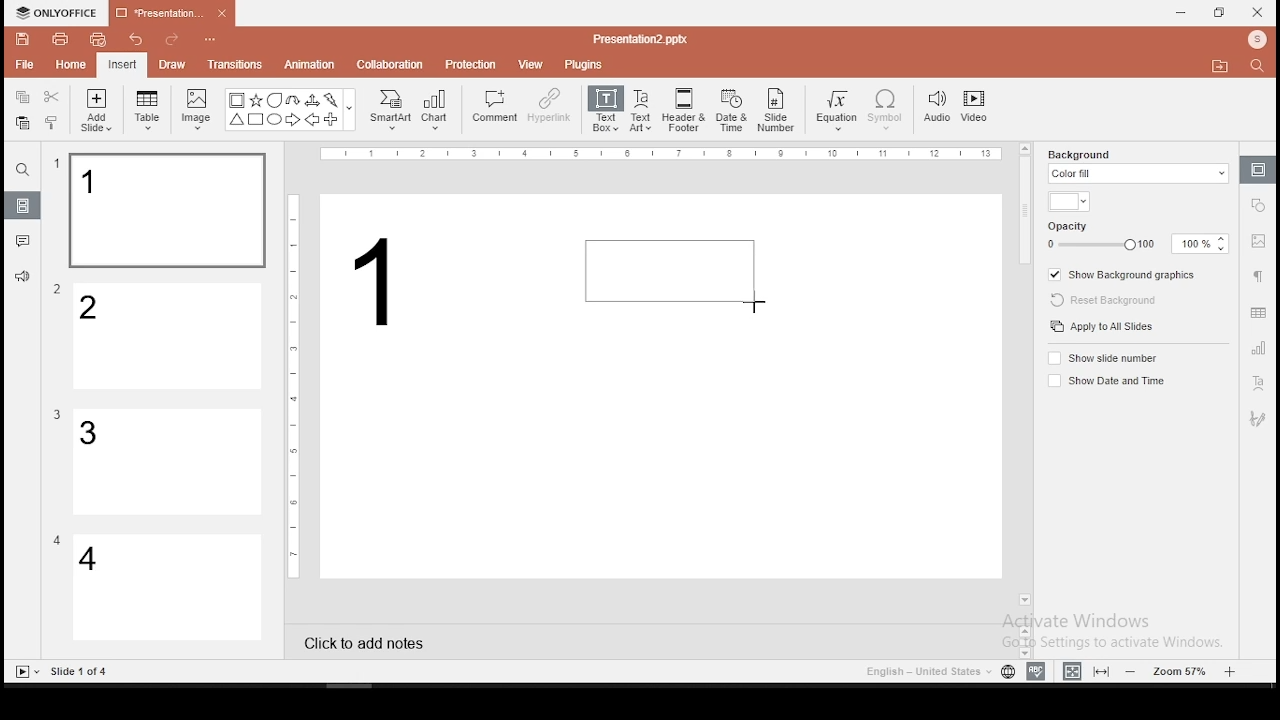 The height and width of the screenshot is (720, 1280). Describe the element at coordinates (1258, 169) in the screenshot. I see `slide settings` at that location.